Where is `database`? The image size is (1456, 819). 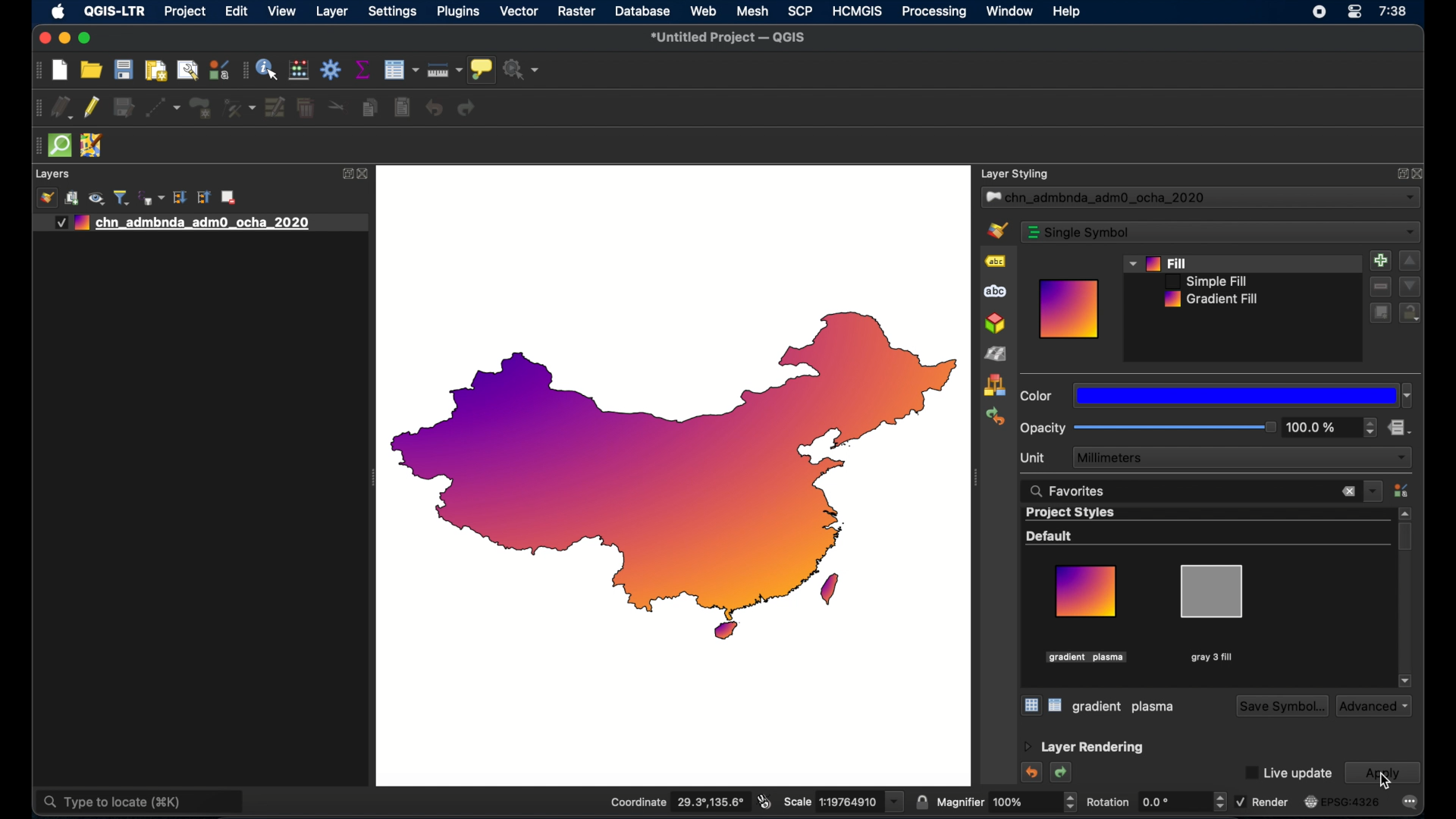 database is located at coordinates (642, 11).